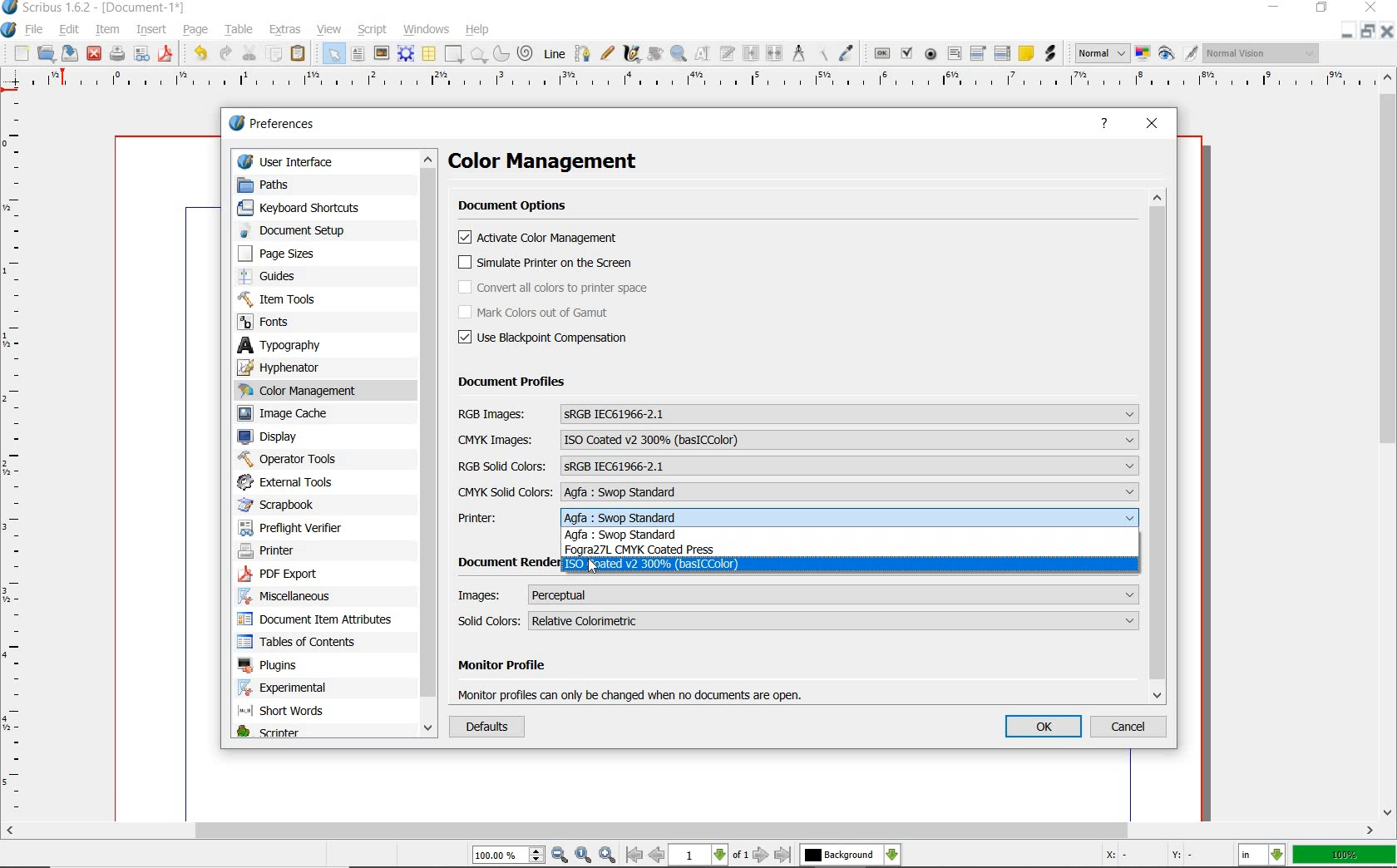 This screenshot has height=868, width=1397. Describe the element at coordinates (653, 565) in the screenshot. I see `ISO Coated V2 300% (basICColor)` at that location.